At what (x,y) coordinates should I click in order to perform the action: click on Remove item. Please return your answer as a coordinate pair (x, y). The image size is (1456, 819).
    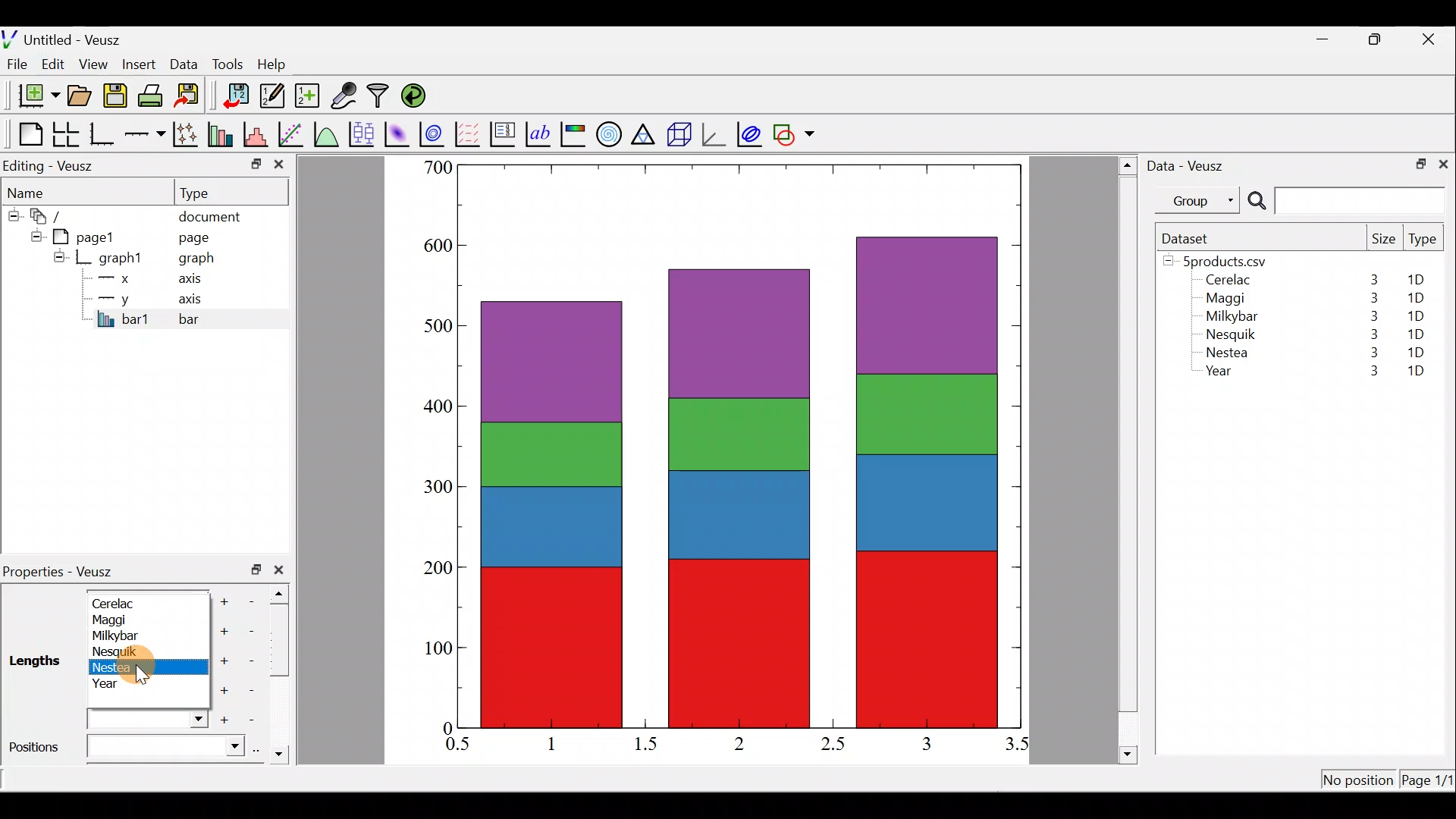
    Looking at the image, I should click on (252, 660).